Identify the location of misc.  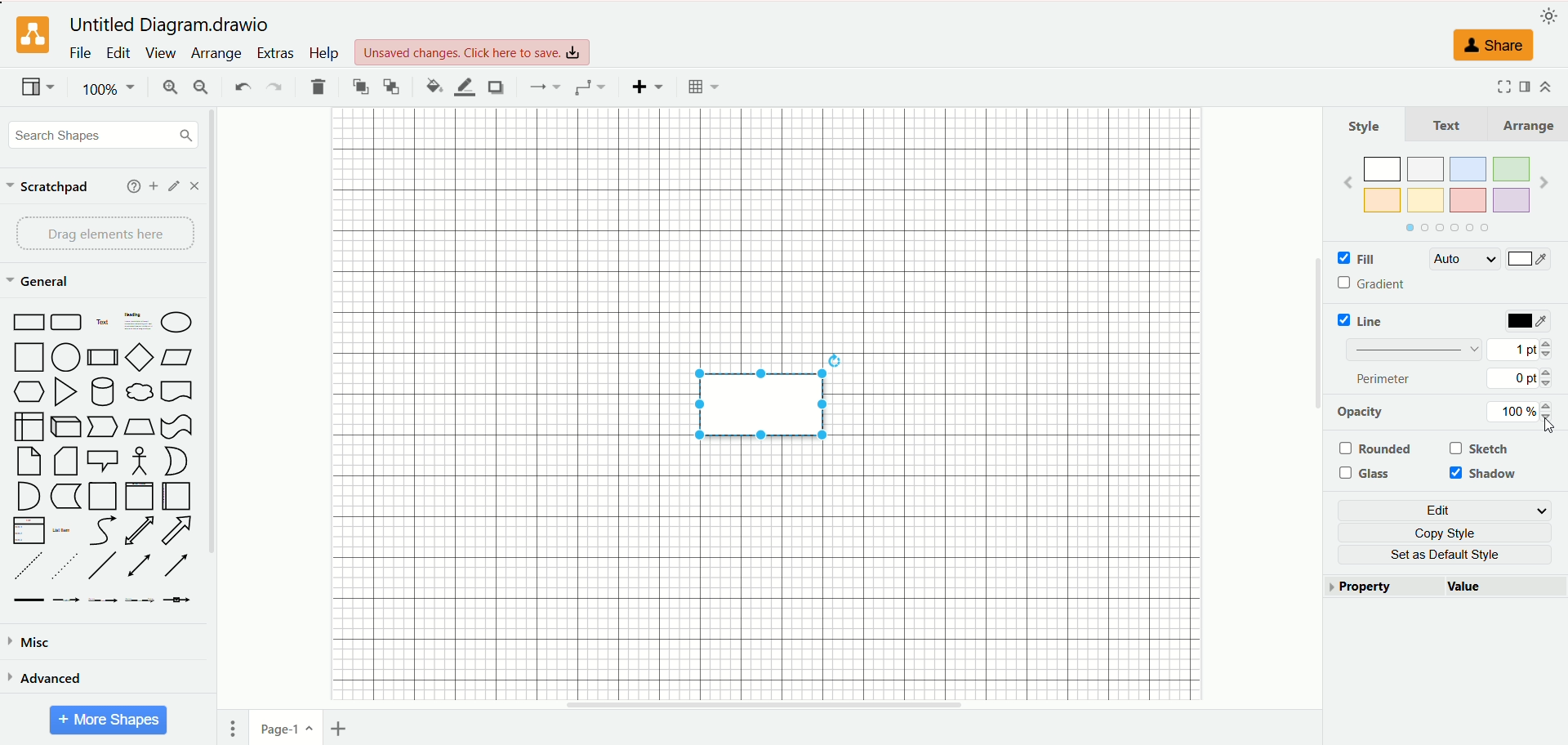
(31, 643).